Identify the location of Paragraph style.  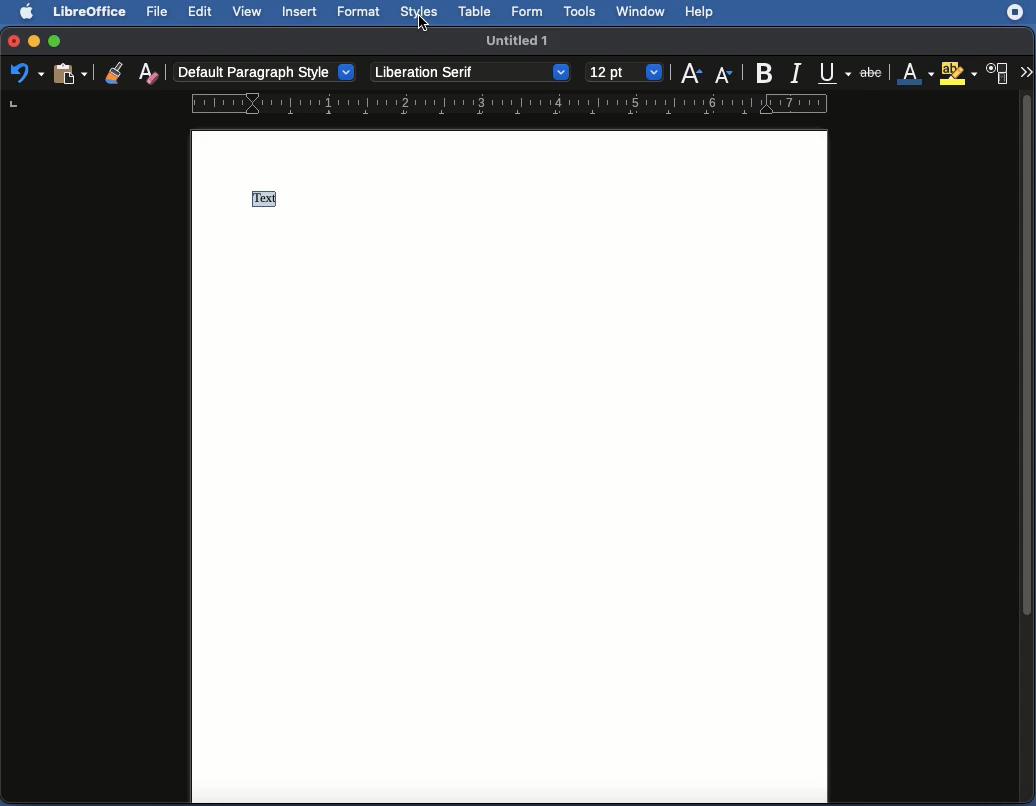
(267, 72).